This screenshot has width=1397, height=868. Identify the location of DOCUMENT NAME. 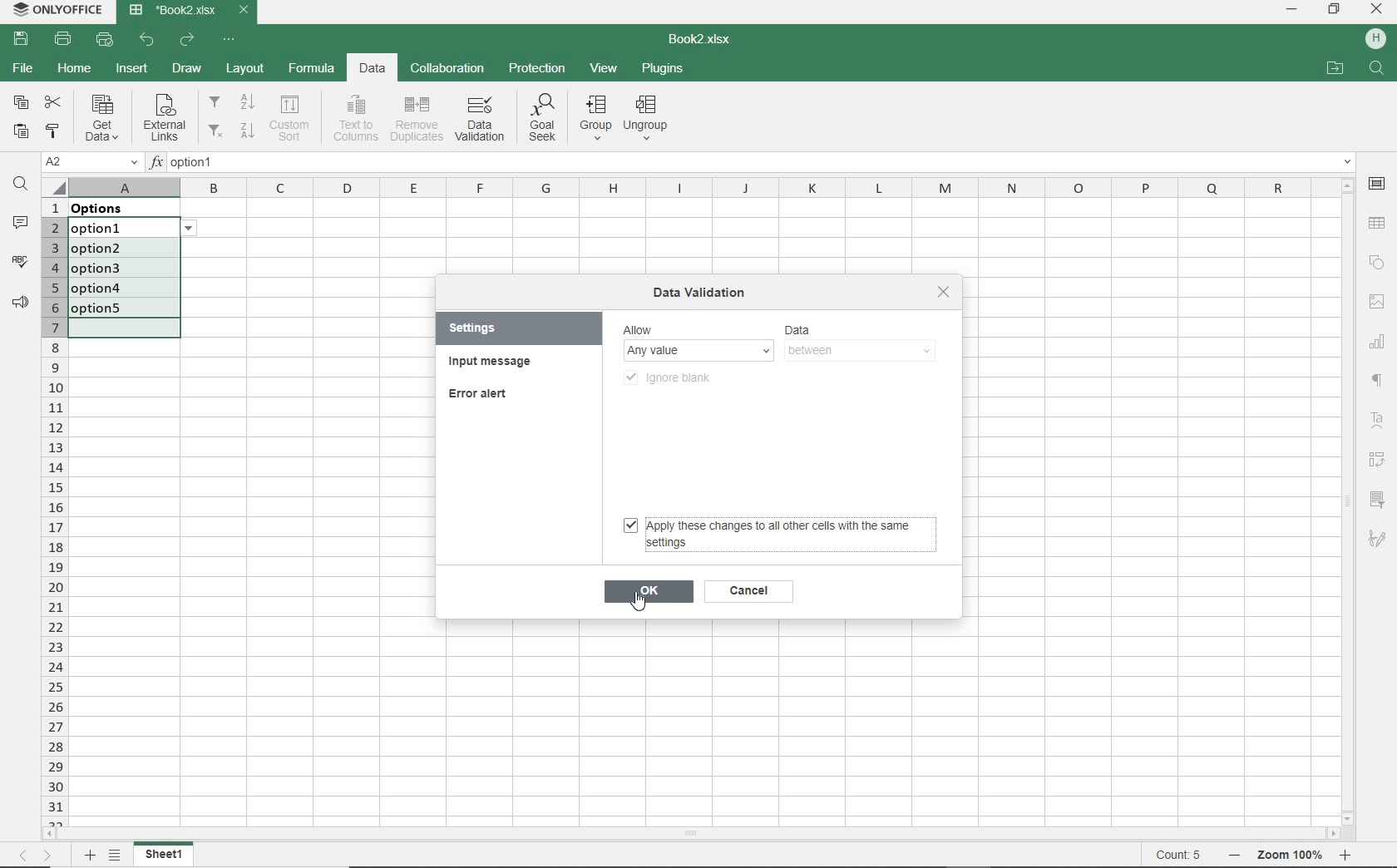
(190, 10).